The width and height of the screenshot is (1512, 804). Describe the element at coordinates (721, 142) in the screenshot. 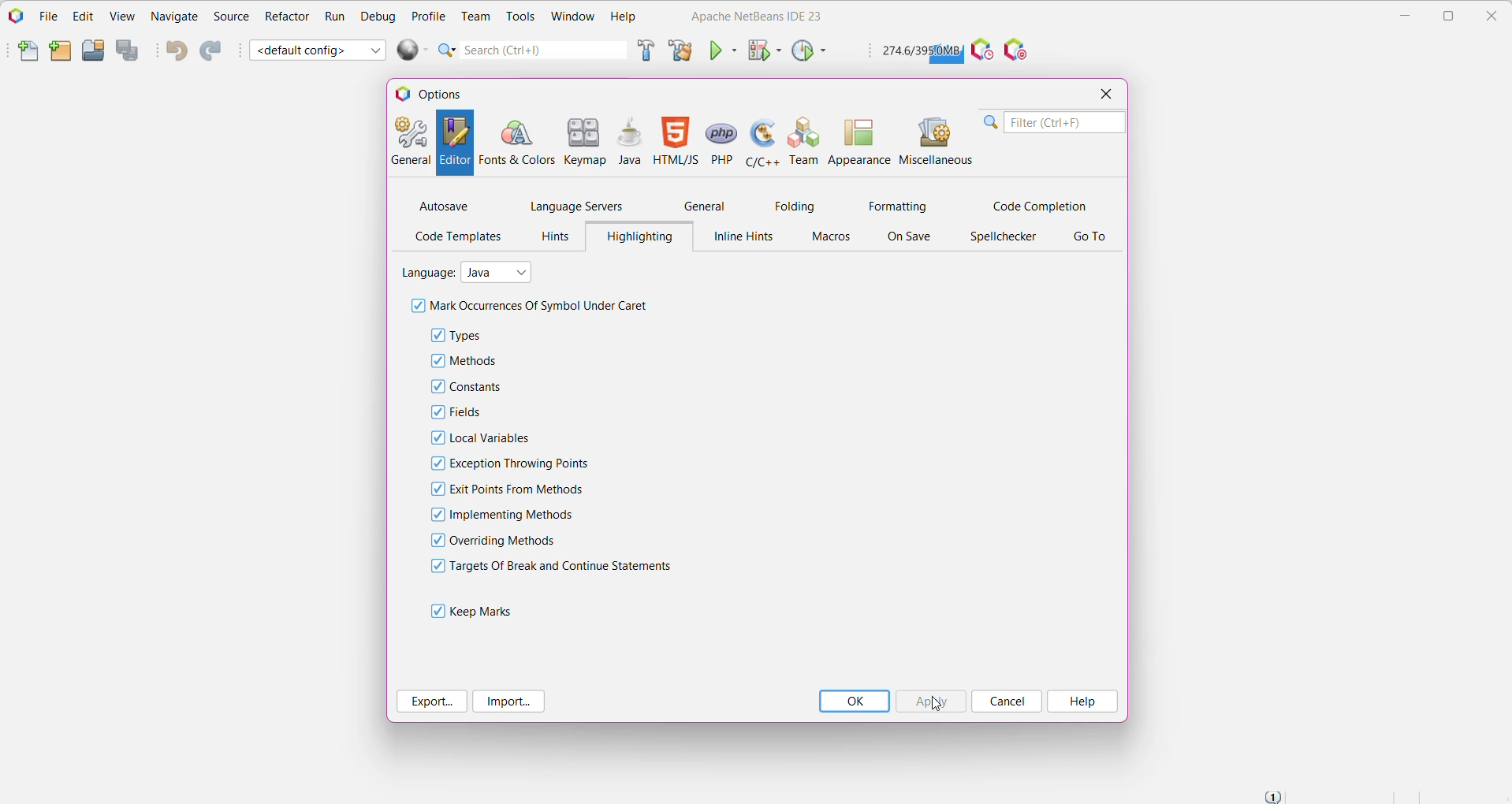

I see `PHP` at that location.